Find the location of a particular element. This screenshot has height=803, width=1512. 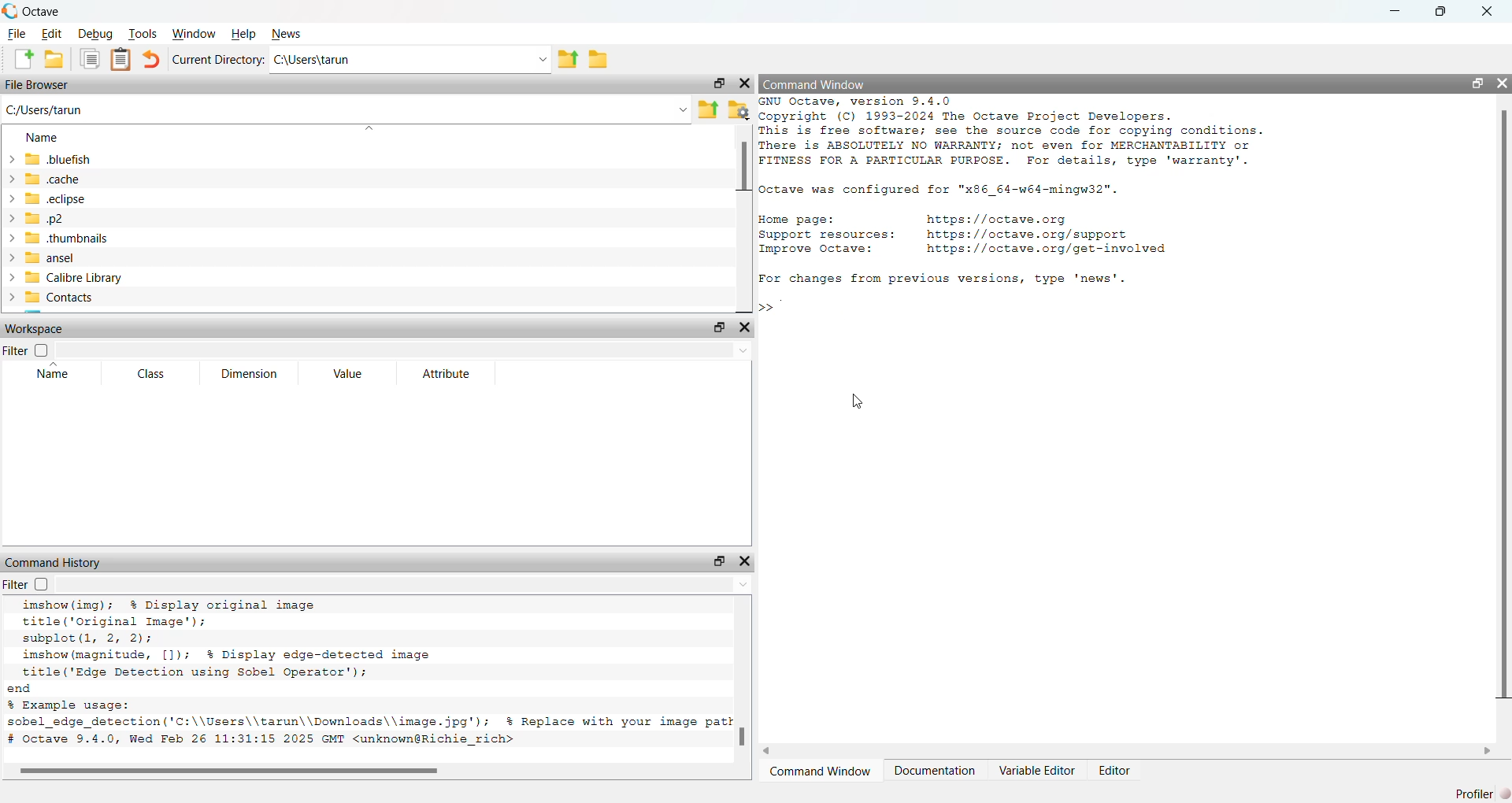

GNU Octave, version 9.4.0

Copyright (C) 1993-2024 The Octave Project Developers.

This is free software; see the source code for copying conditions.
There is ABSOLUTELY NO WARRANTY; not even for MERCHANTABILITY or
FITNESS FOR A PARTICULAR PURPOSE. For details, type 'warranty'.
octave was configured for "x86_64-w64-mingw32".

Home page: https://octave.org

Support resources:  https://octave.org/support

Improve Octave: https: //octave.org/get-involved

For changes from previous versions, type 'news’. is located at coordinates (1025, 195).